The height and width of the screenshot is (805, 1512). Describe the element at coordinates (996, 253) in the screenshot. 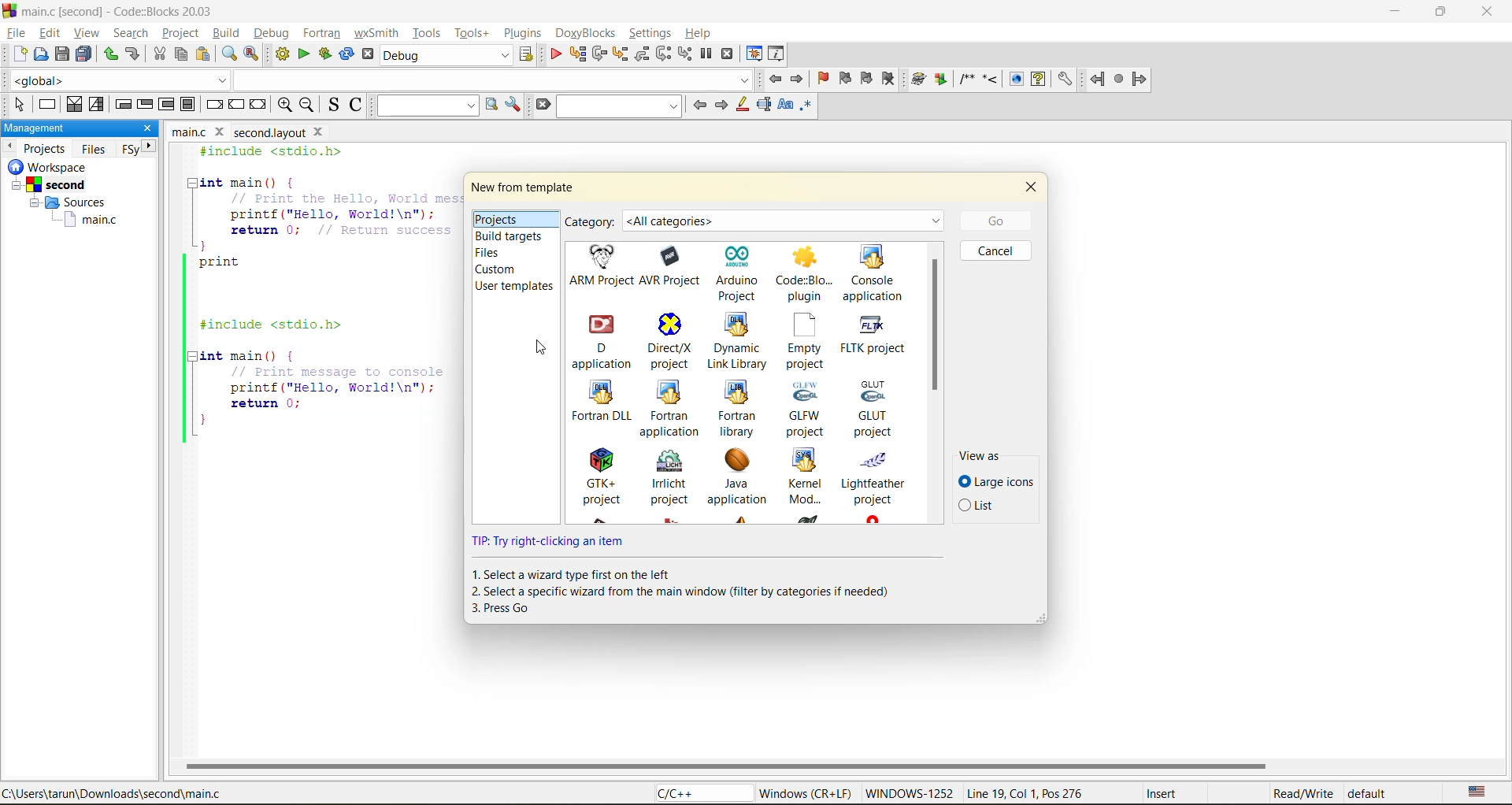

I see `cancel` at that location.